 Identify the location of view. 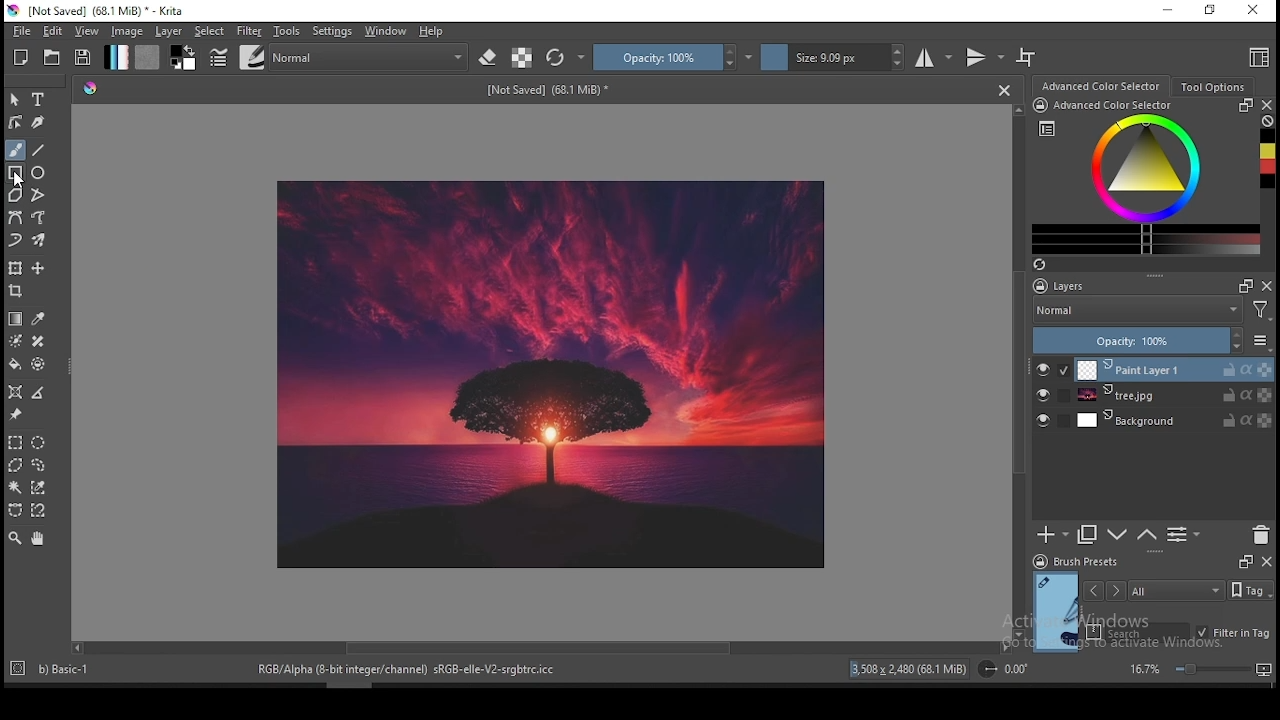
(89, 32).